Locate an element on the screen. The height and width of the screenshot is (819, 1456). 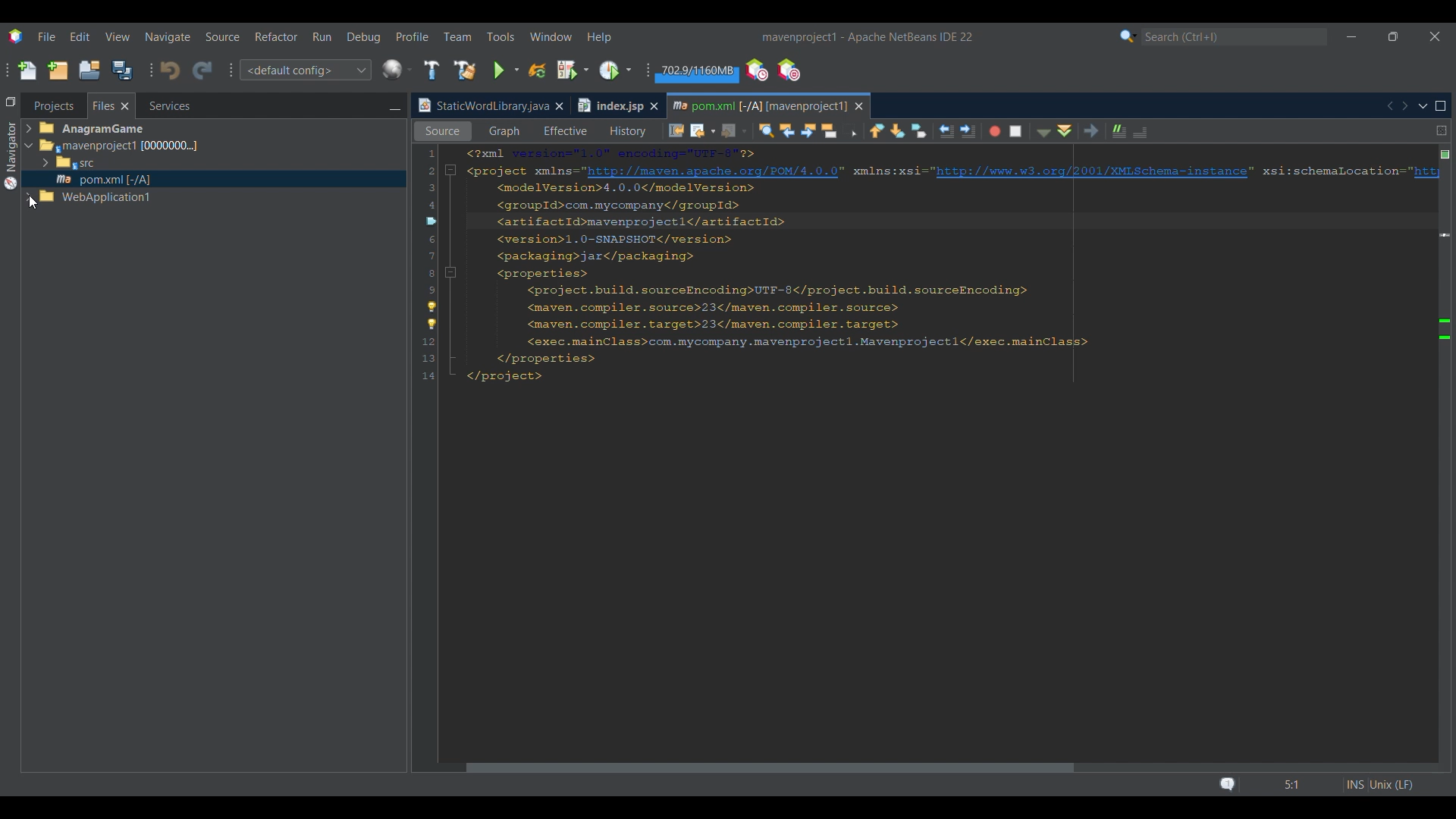
Shift line left is located at coordinates (944, 136).